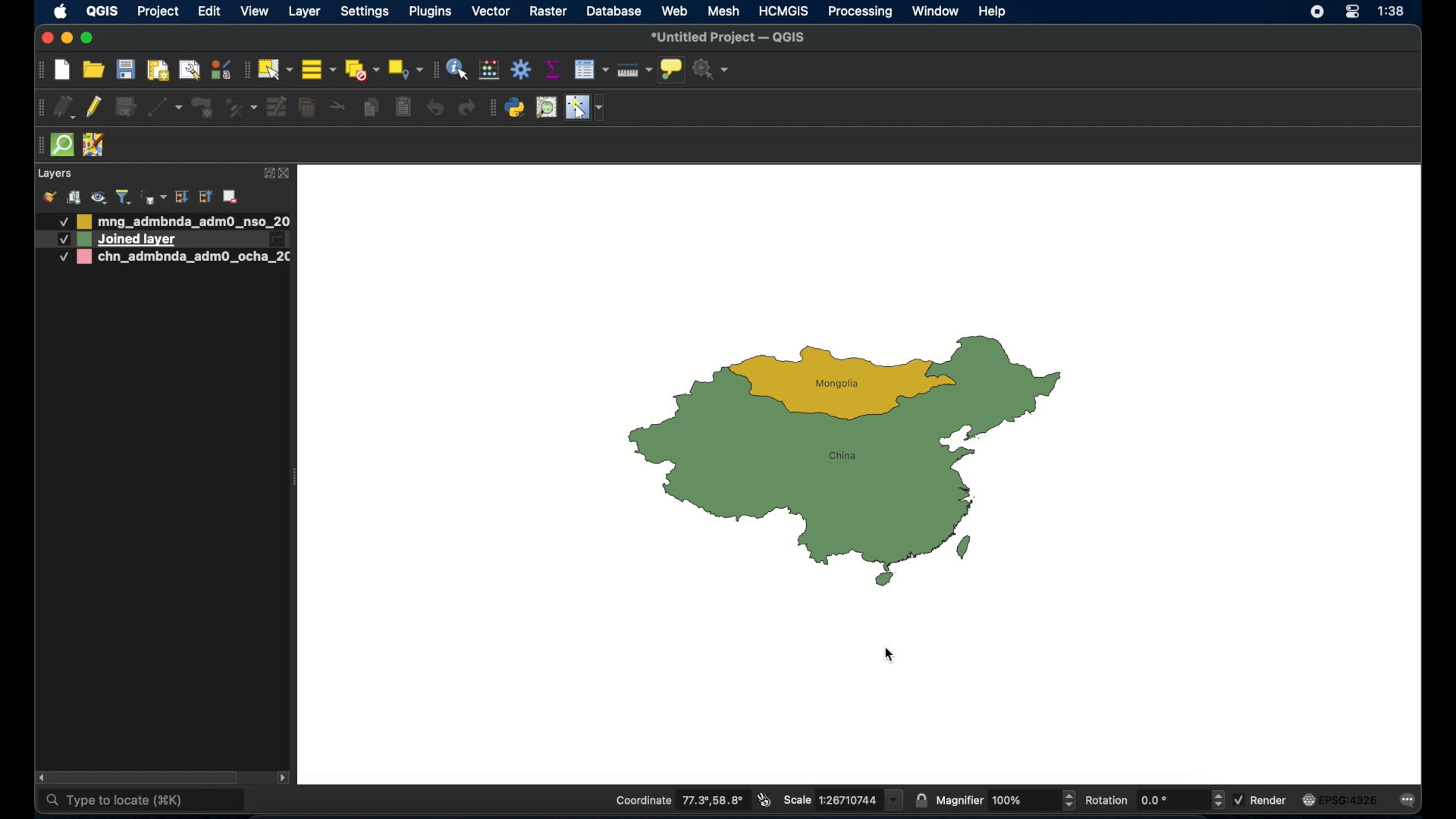  I want to click on type to locate, so click(143, 802).